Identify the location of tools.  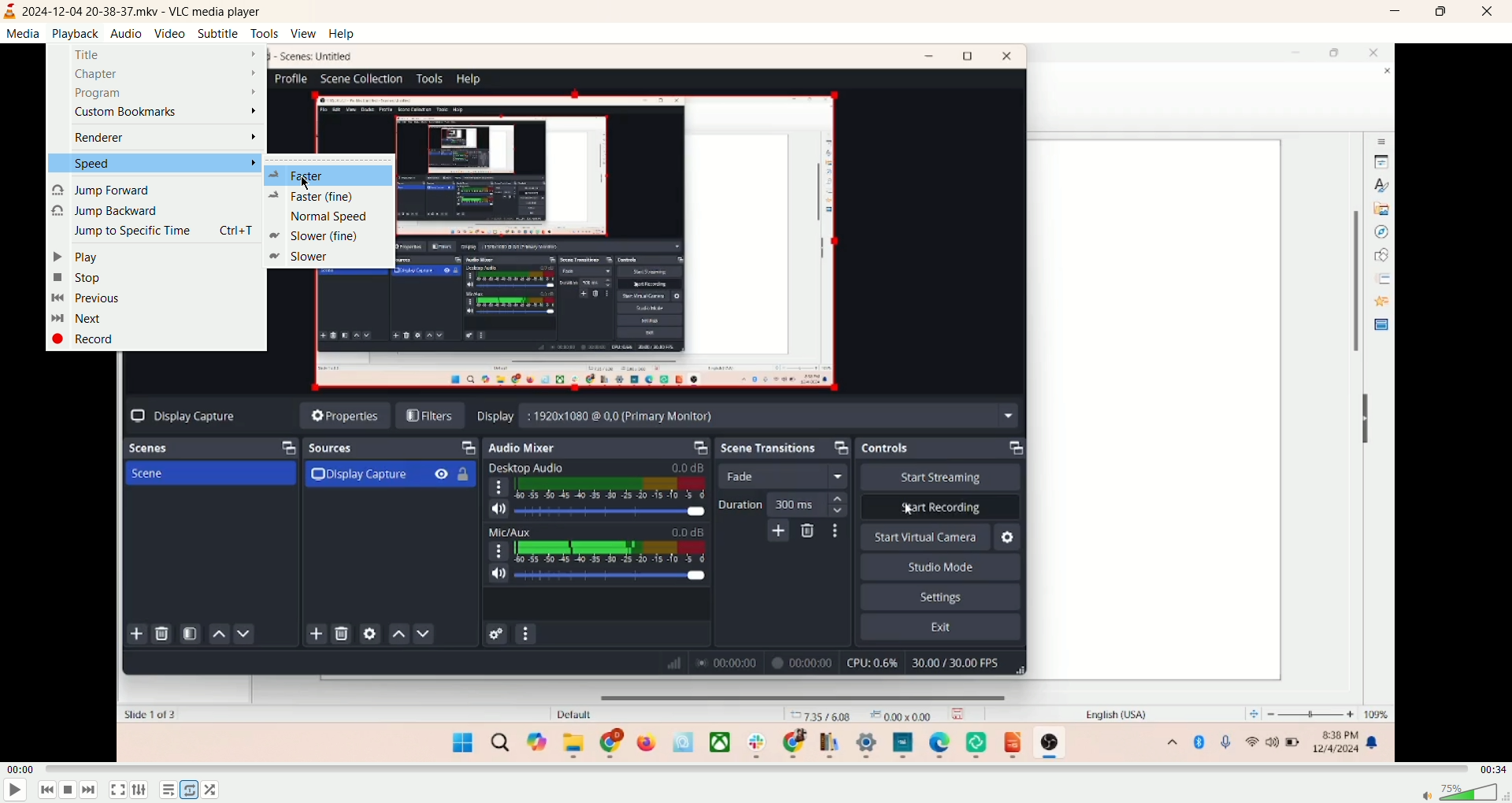
(265, 34).